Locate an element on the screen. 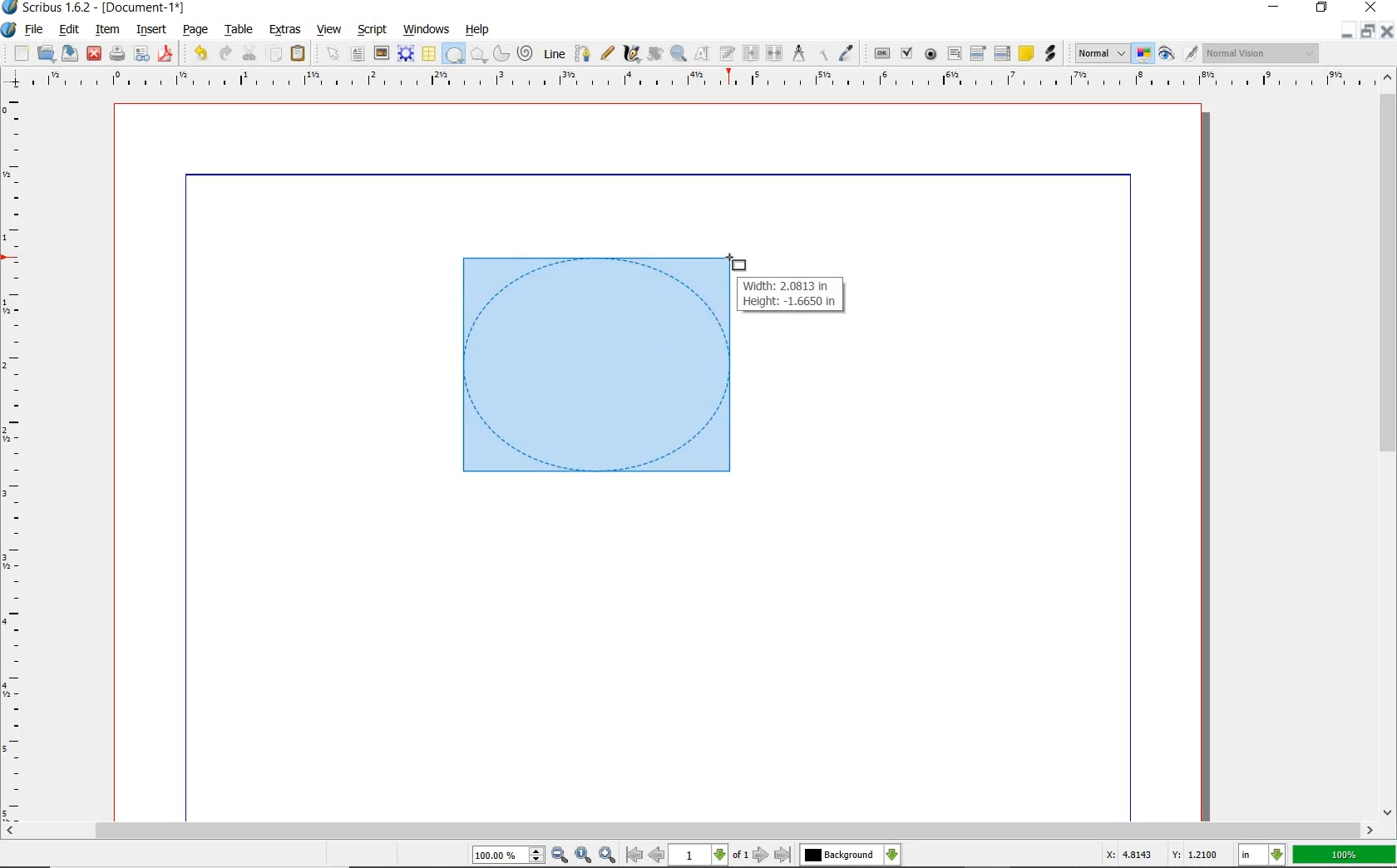 The image size is (1397, 868). zoom in is located at coordinates (560, 856).